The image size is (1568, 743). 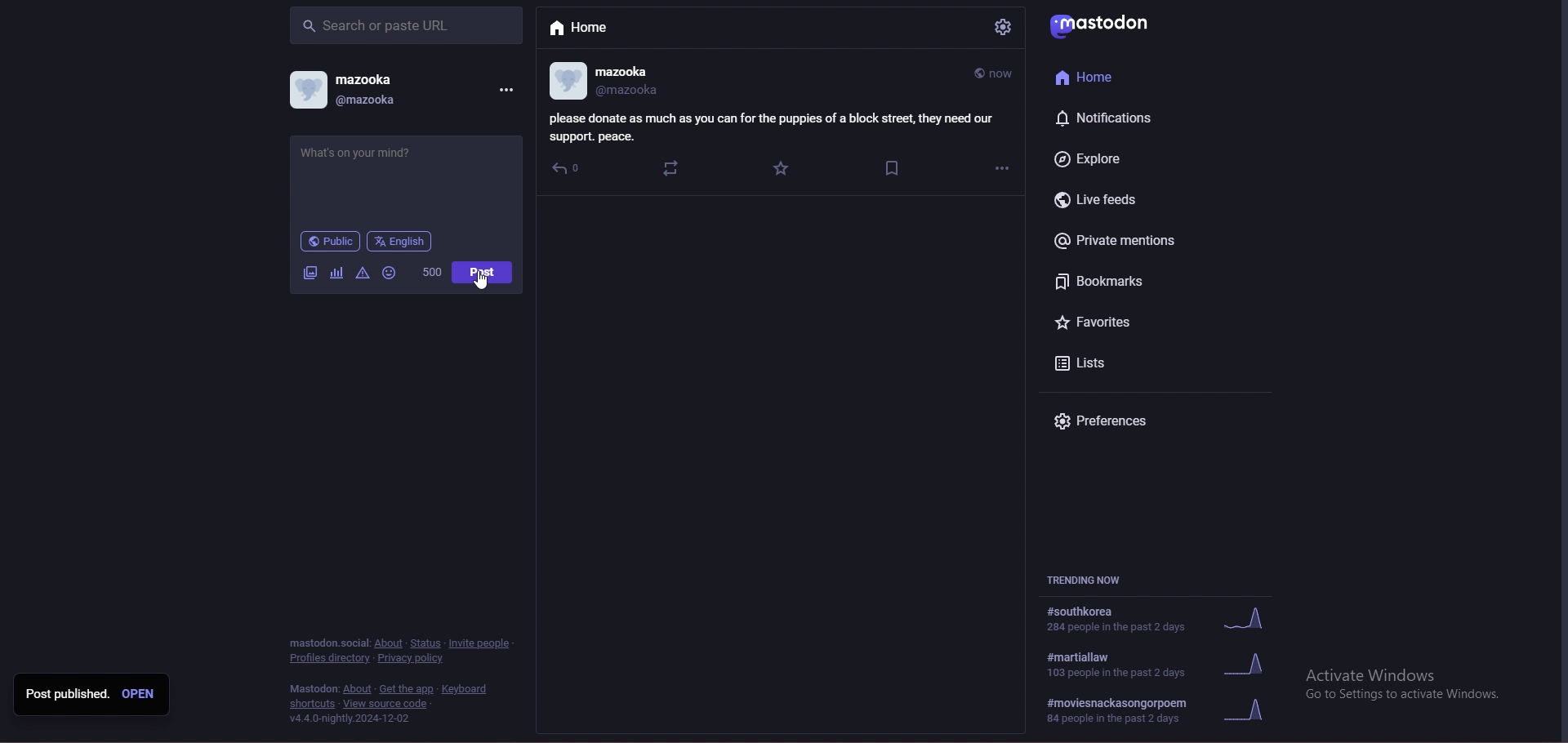 I want to click on emoji, so click(x=393, y=271).